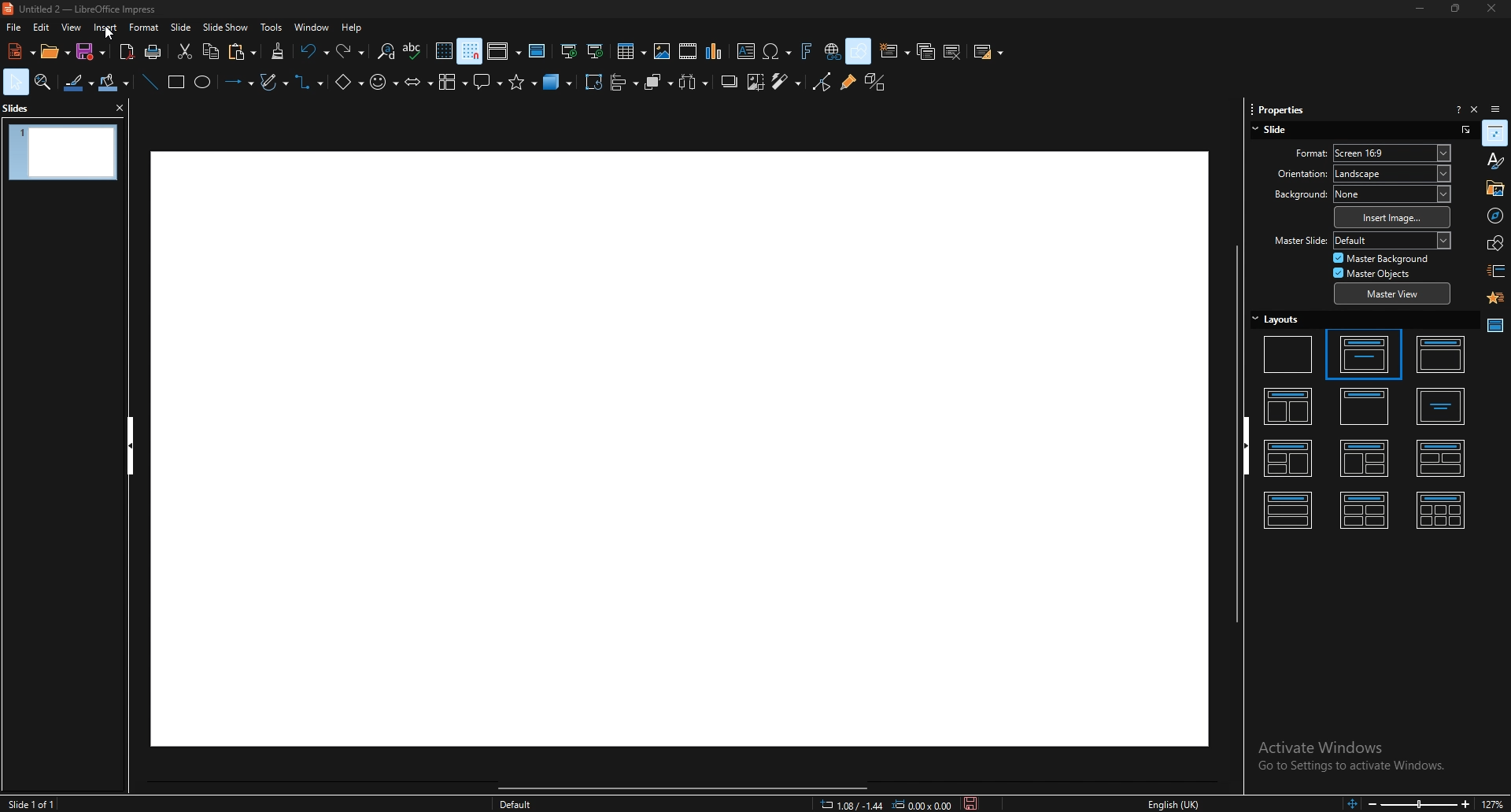 The height and width of the screenshot is (812, 1511). I want to click on zoom and pan, so click(43, 83).